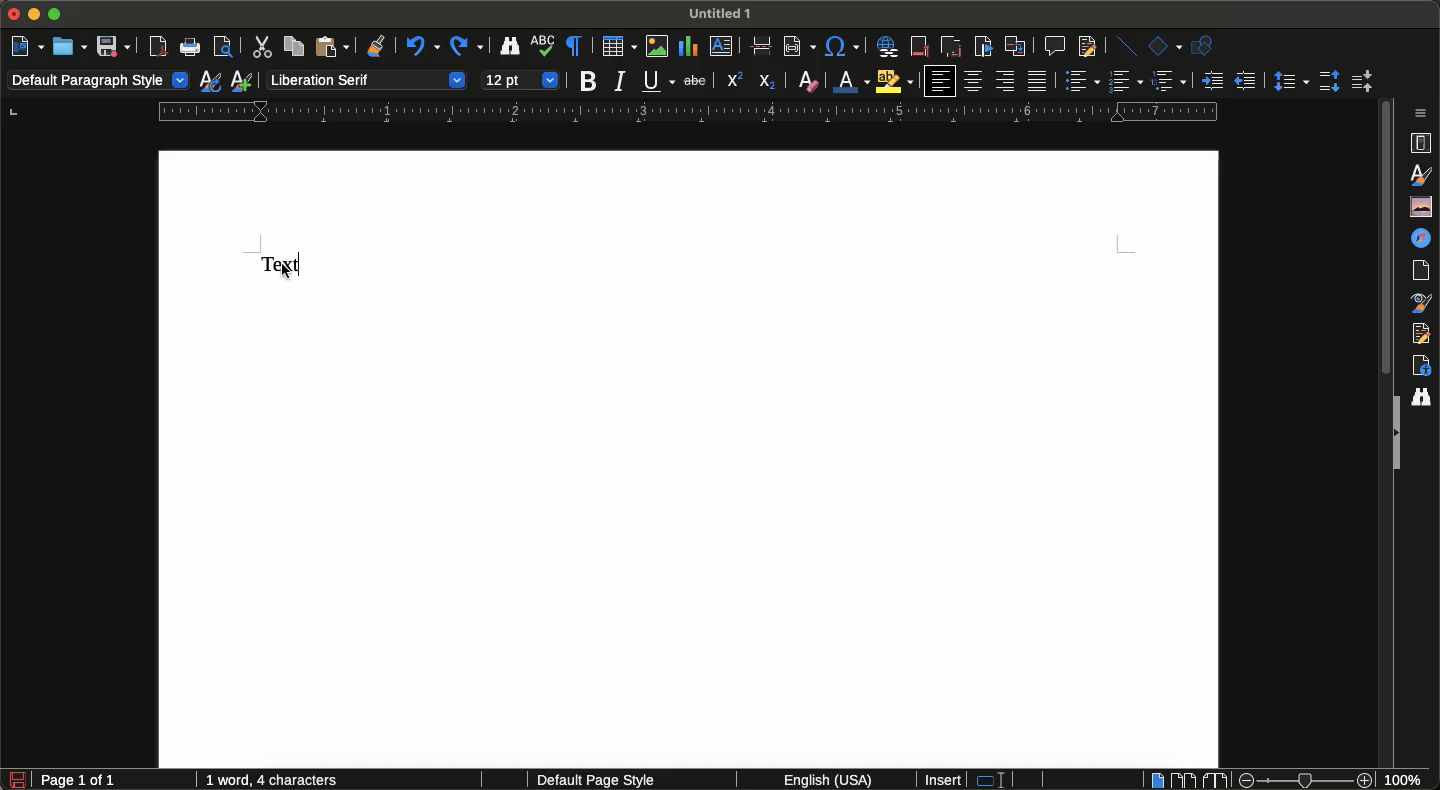  Describe the element at coordinates (1158, 779) in the screenshot. I see `Single-page view` at that location.